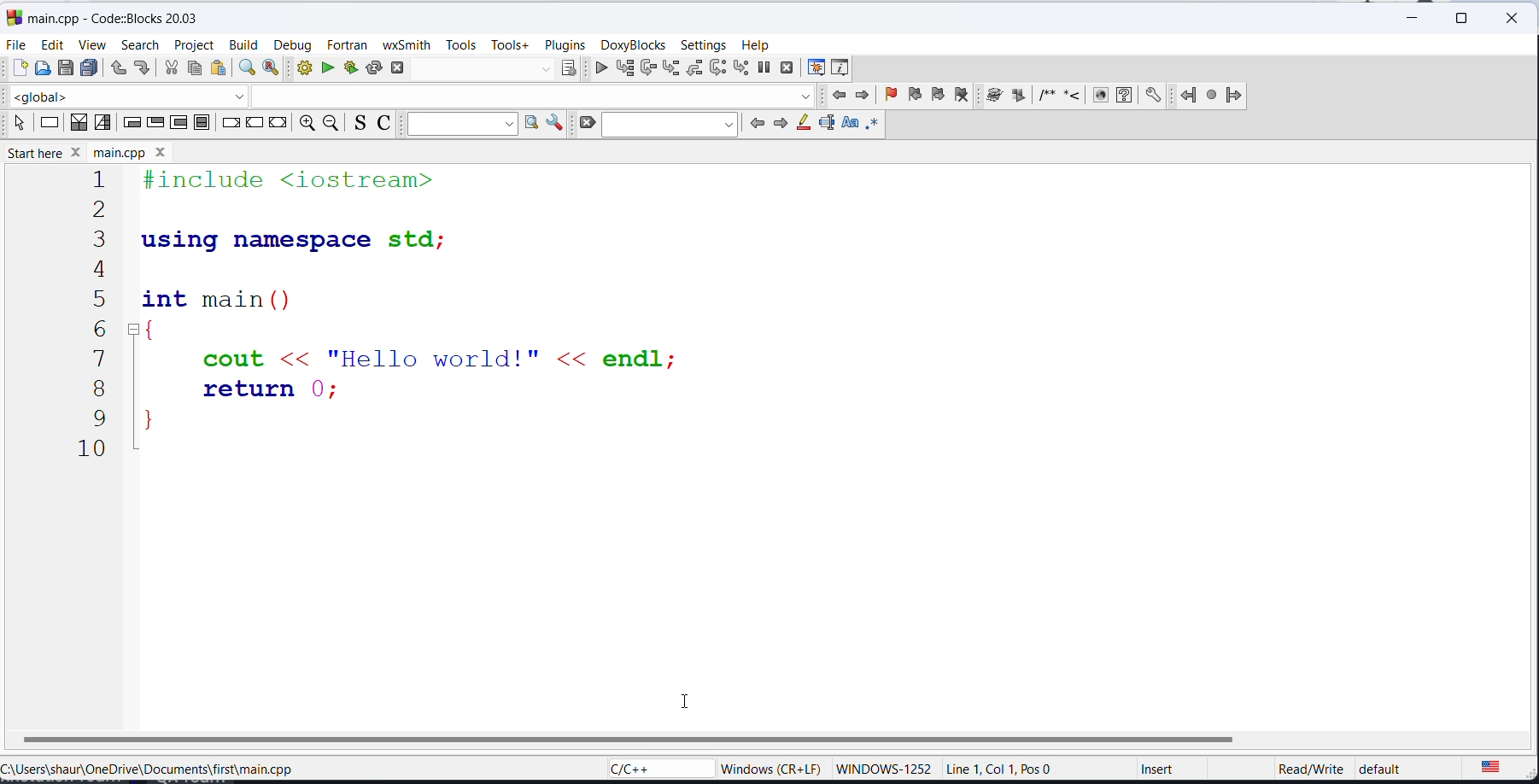 This screenshot has width=1539, height=784. I want to click on REBUILD, so click(374, 68).